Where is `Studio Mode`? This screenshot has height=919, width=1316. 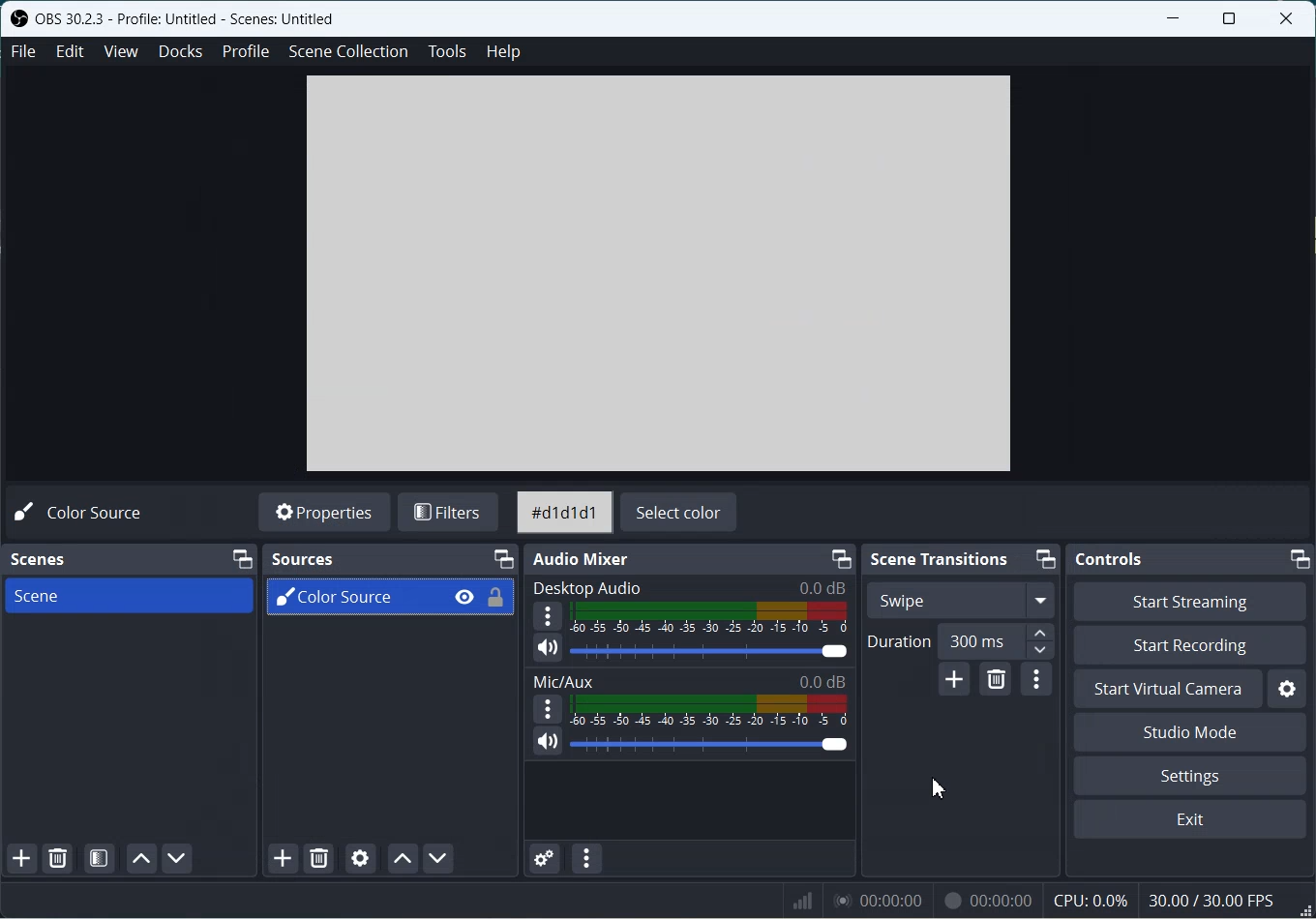 Studio Mode is located at coordinates (1189, 732).